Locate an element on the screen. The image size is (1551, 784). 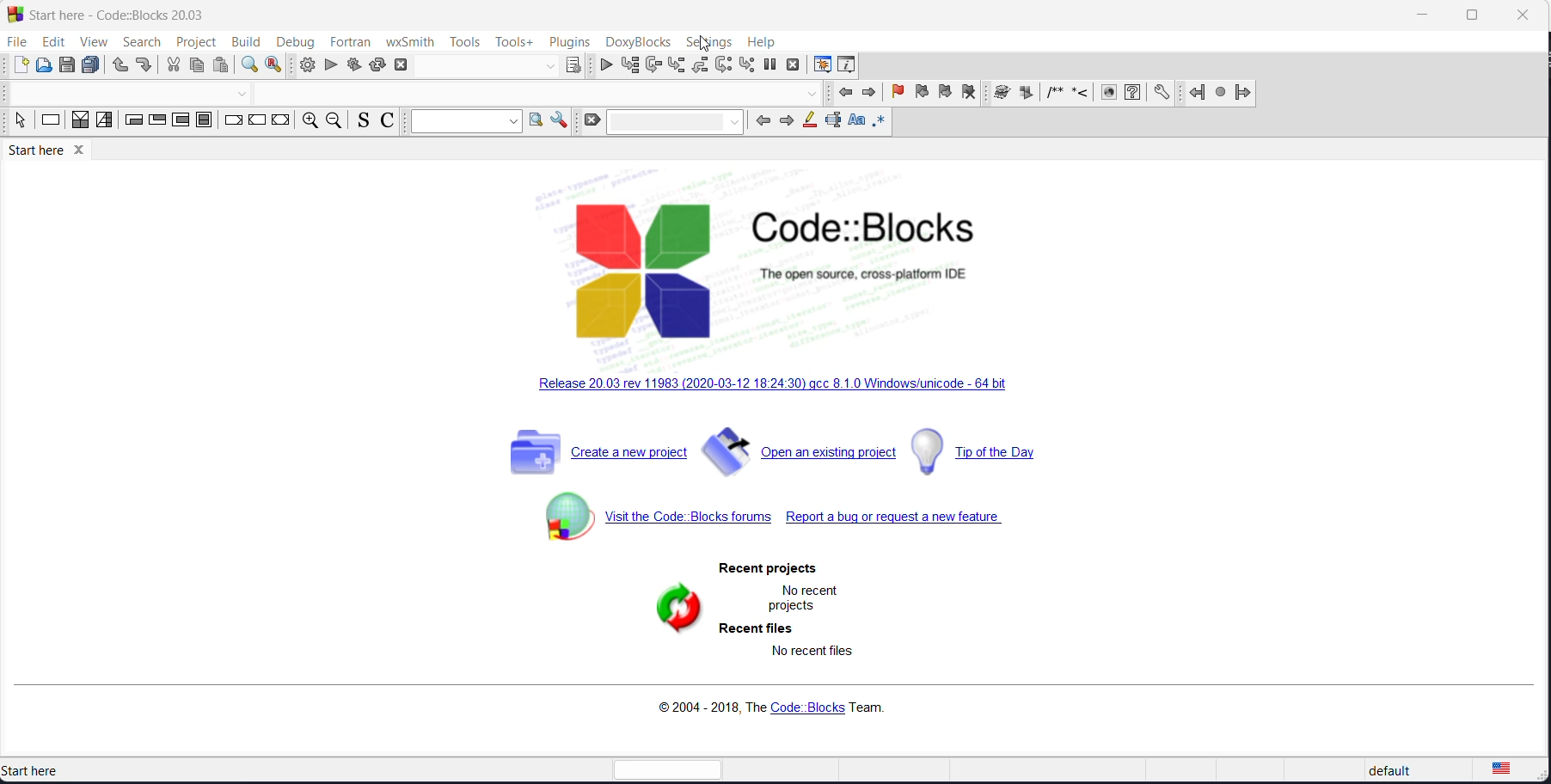
maximize is located at coordinates (1470, 15).